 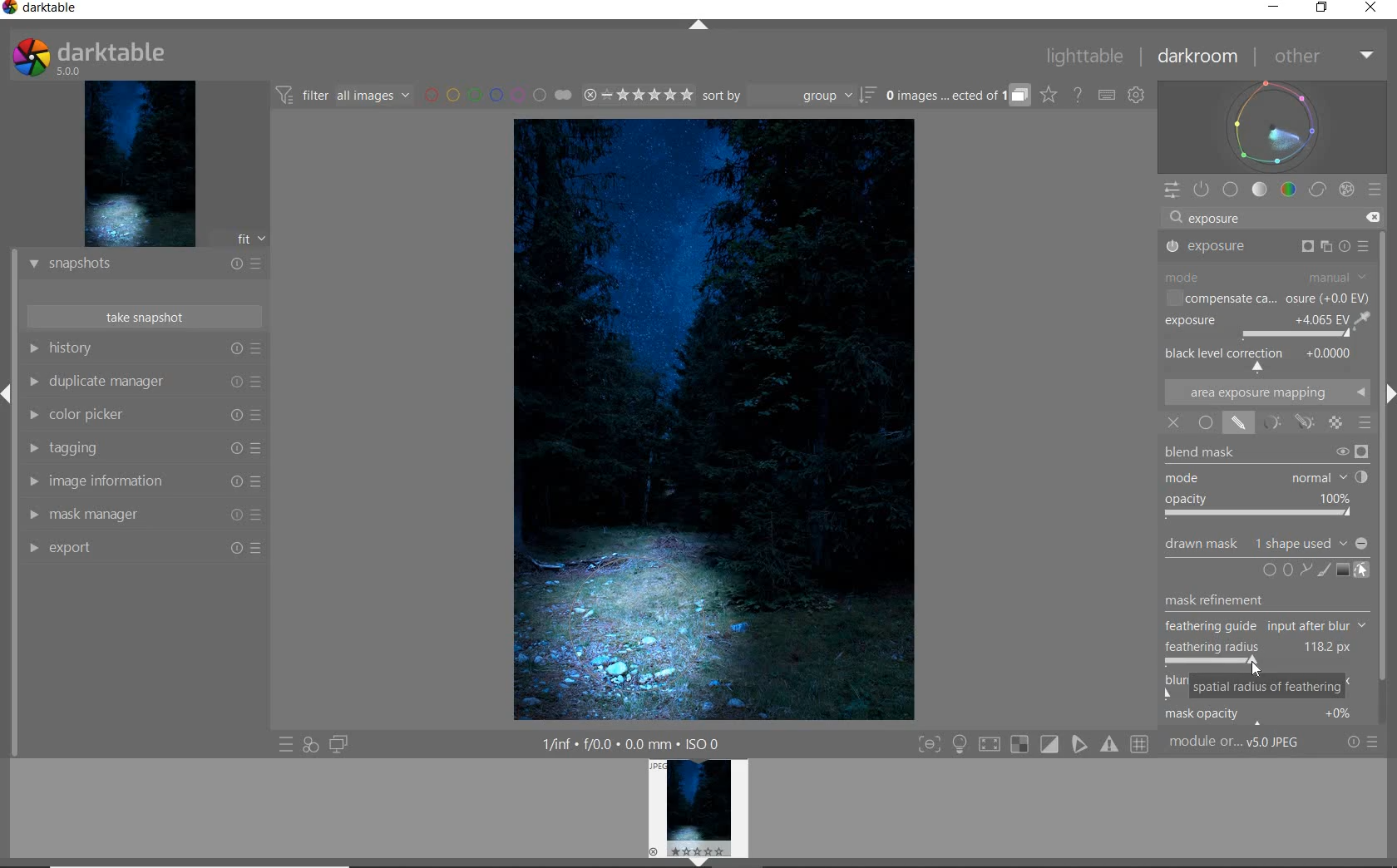 I want to click on ADD GRADIENT, so click(x=1344, y=570).